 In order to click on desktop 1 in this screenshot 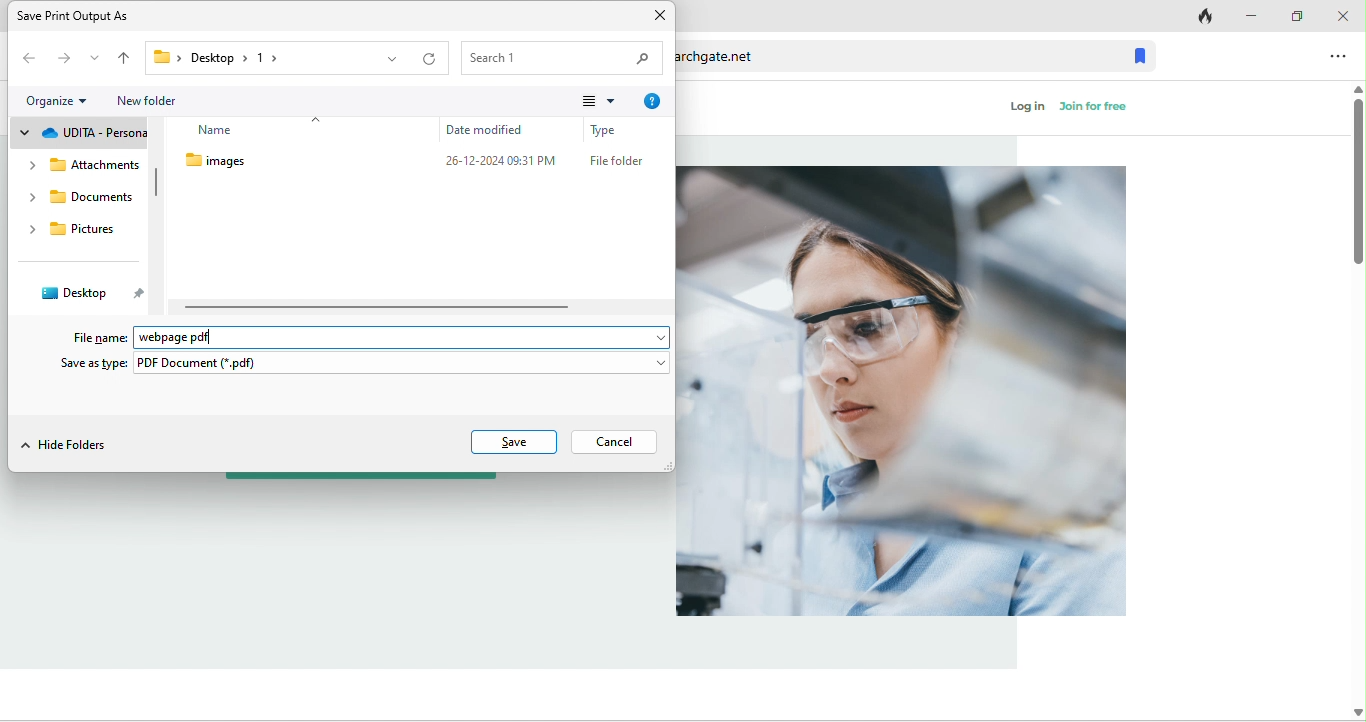, I will do `click(211, 57)`.